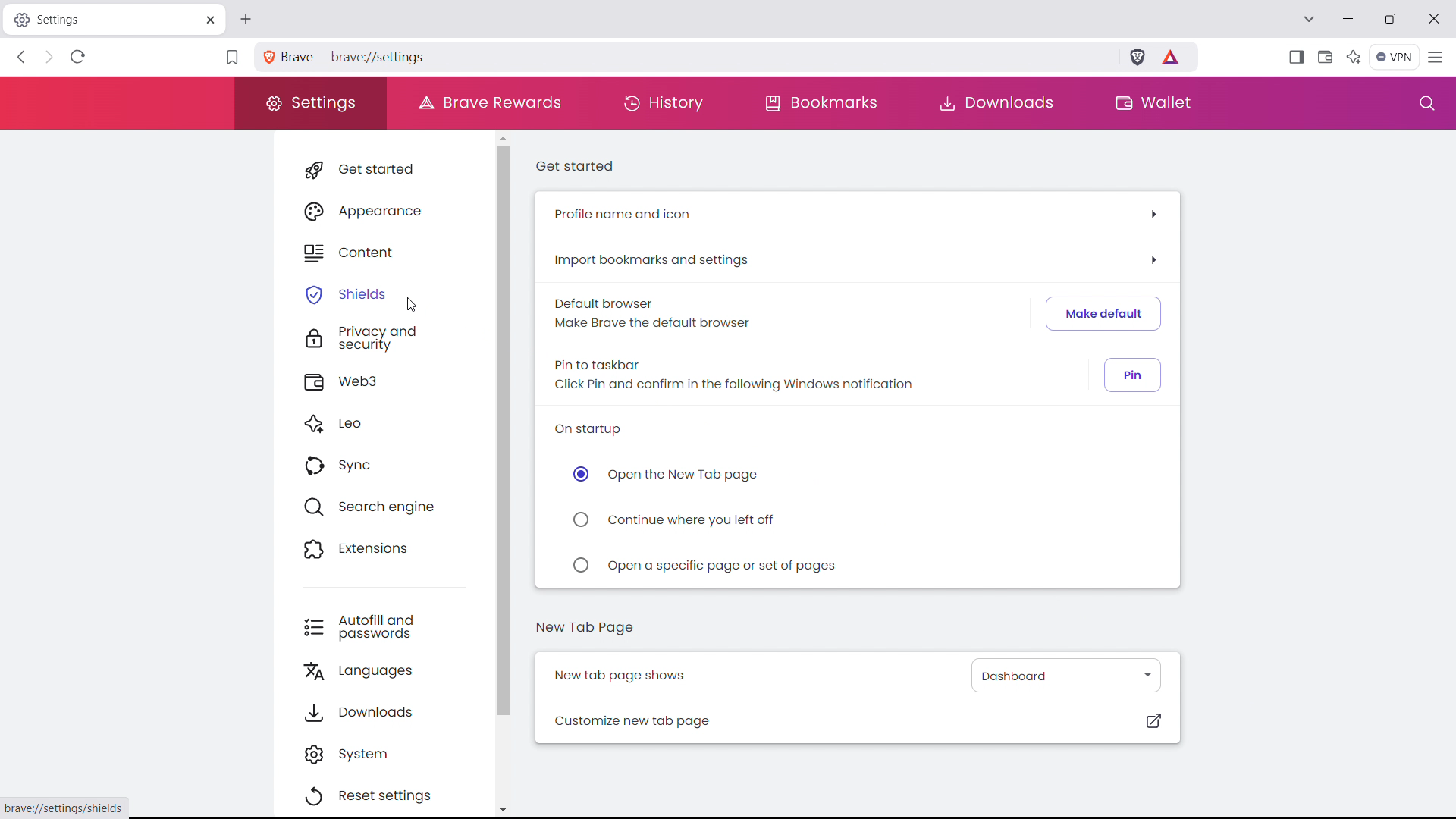 Image resolution: width=1456 pixels, height=819 pixels. Describe the element at coordinates (385, 464) in the screenshot. I see `sync` at that location.